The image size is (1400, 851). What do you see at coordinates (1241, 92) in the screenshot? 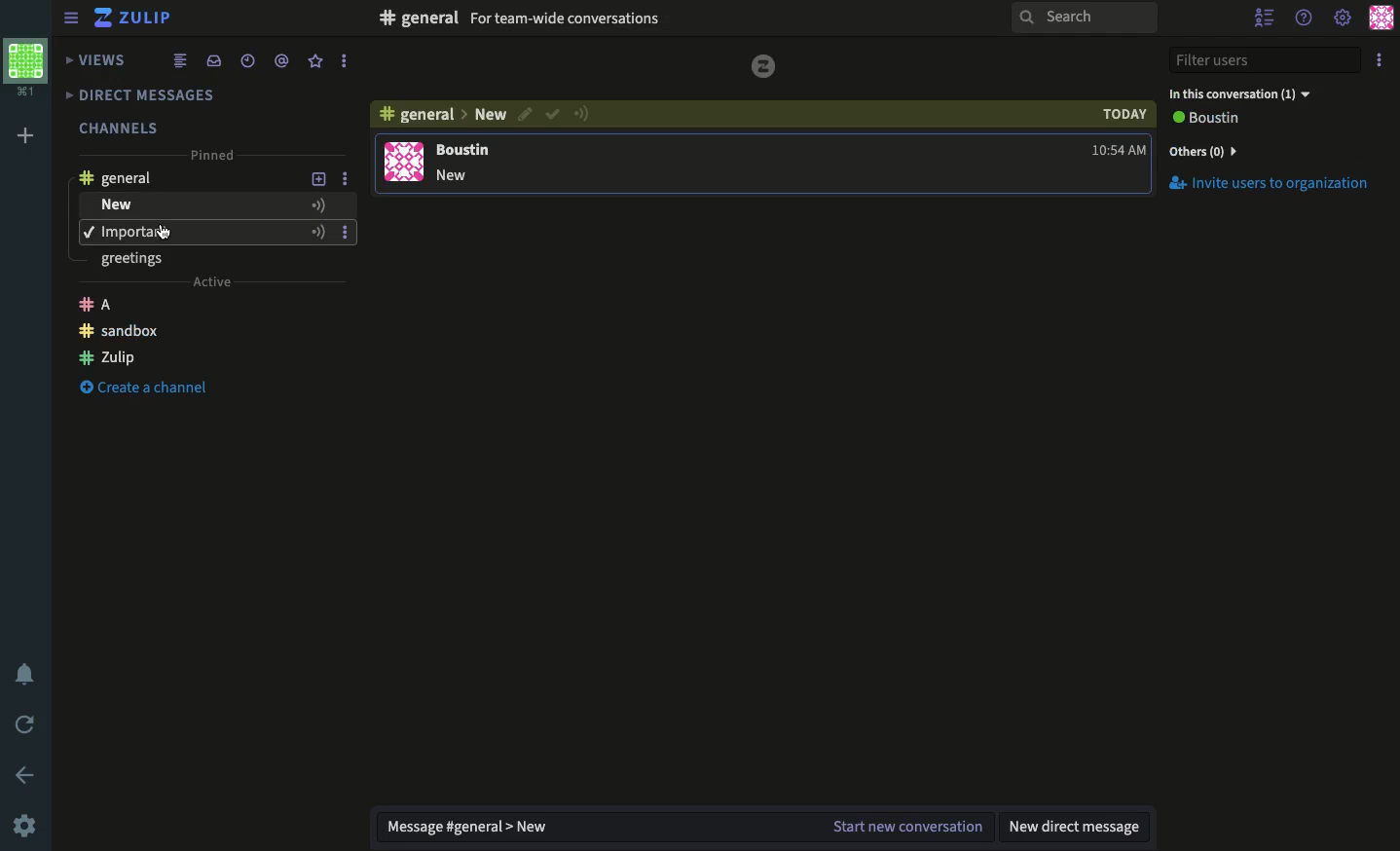
I see `In this conversation` at bounding box center [1241, 92].